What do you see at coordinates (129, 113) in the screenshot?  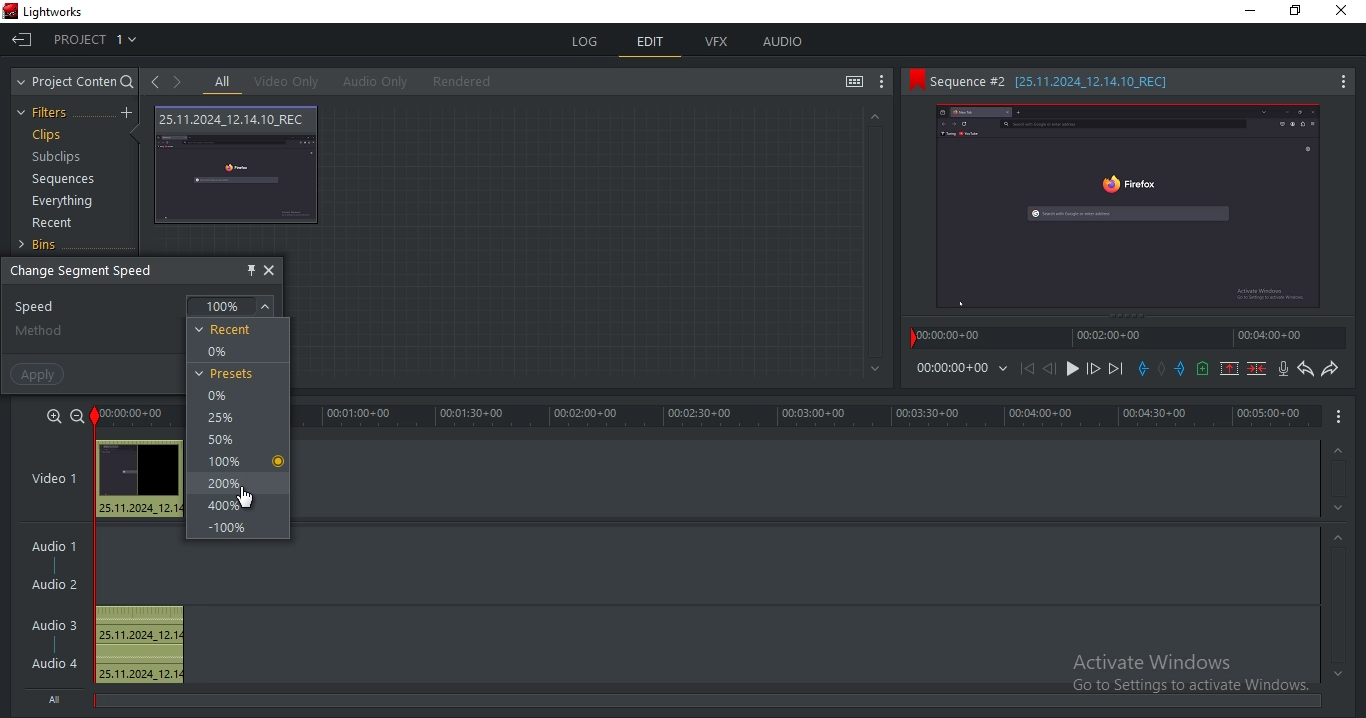 I see `add` at bounding box center [129, 113].